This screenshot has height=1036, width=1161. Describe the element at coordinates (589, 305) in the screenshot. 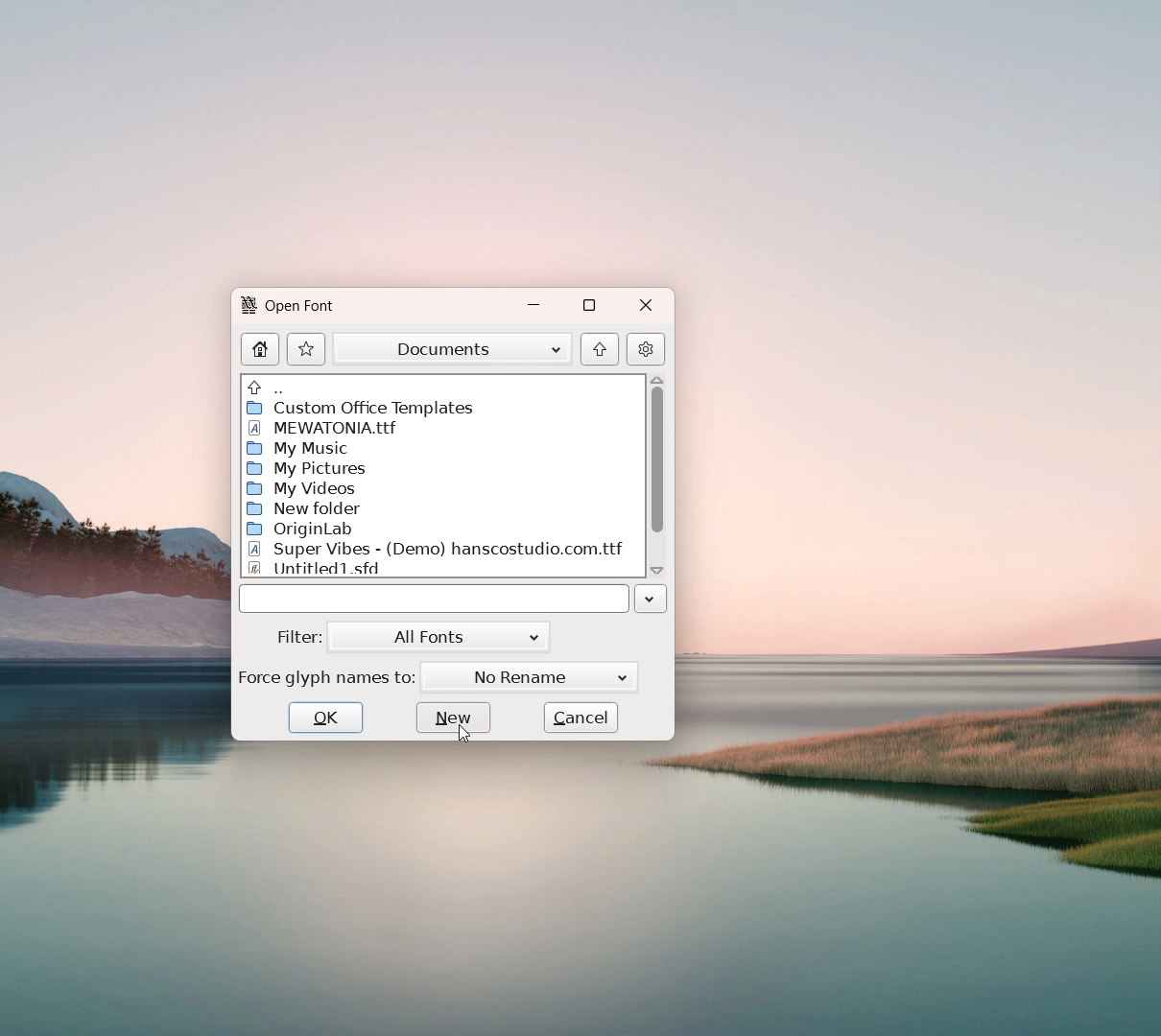

I see `maximize` at that location.